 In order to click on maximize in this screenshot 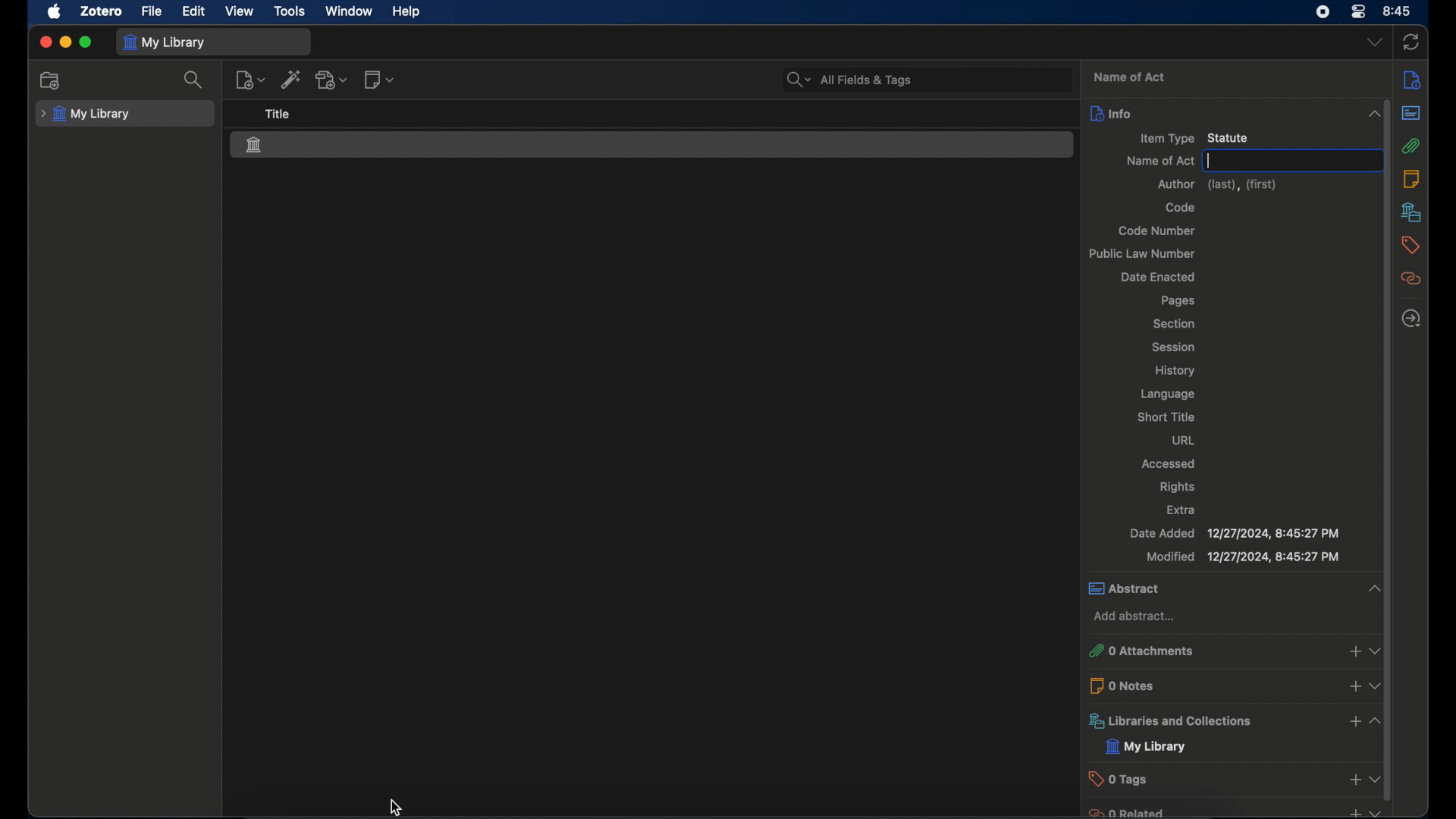, I will do `click(87, 43)`.